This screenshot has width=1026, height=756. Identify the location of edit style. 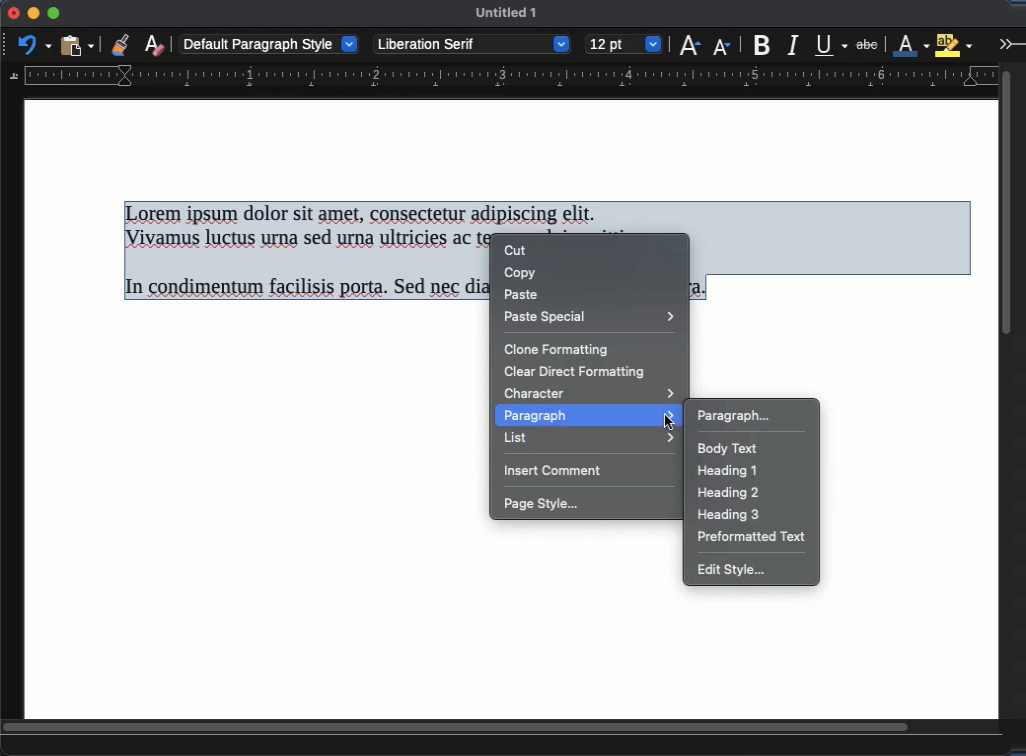
(741, 570).